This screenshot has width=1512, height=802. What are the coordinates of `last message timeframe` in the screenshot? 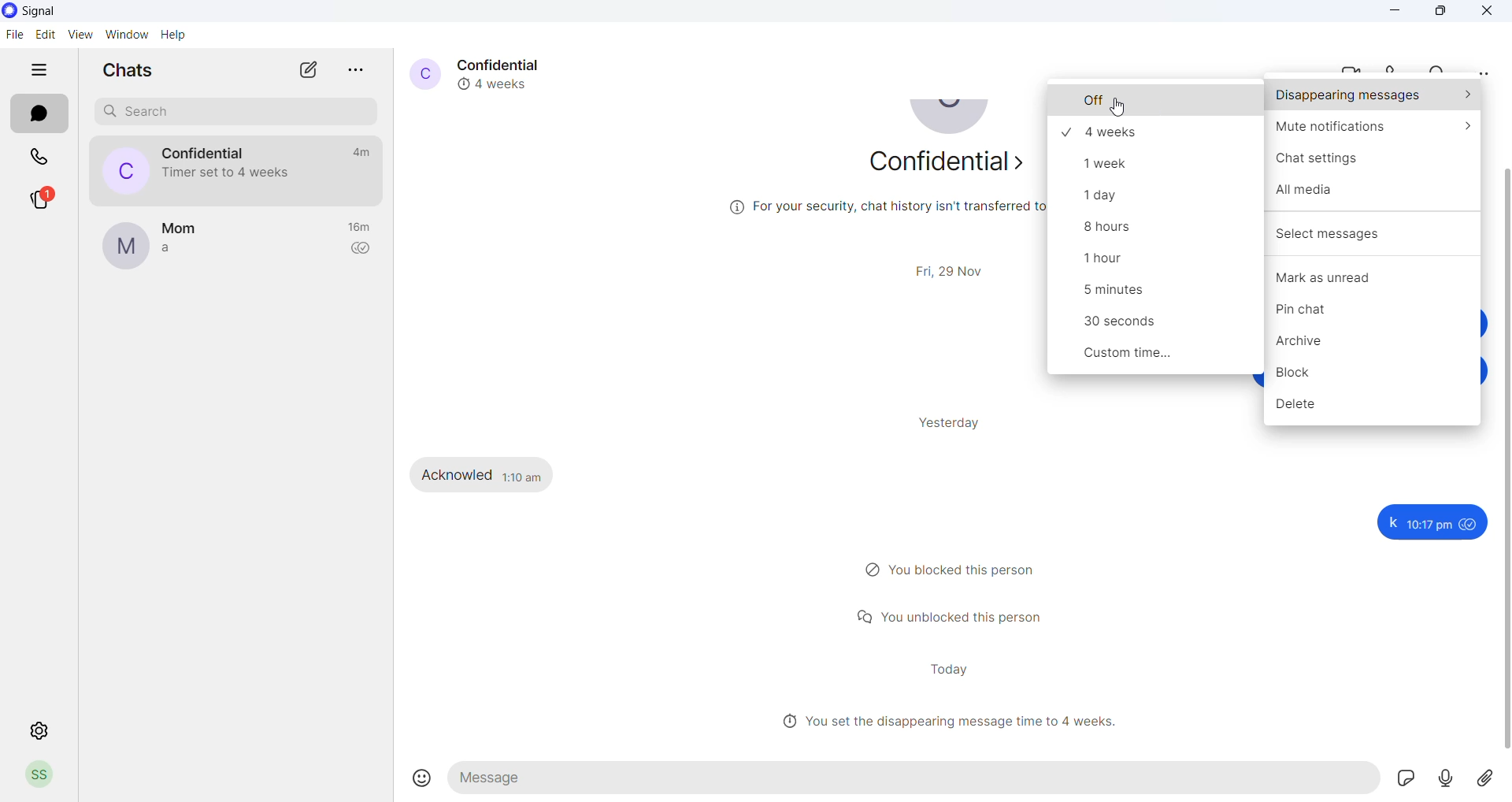 It's located at (358, 152).